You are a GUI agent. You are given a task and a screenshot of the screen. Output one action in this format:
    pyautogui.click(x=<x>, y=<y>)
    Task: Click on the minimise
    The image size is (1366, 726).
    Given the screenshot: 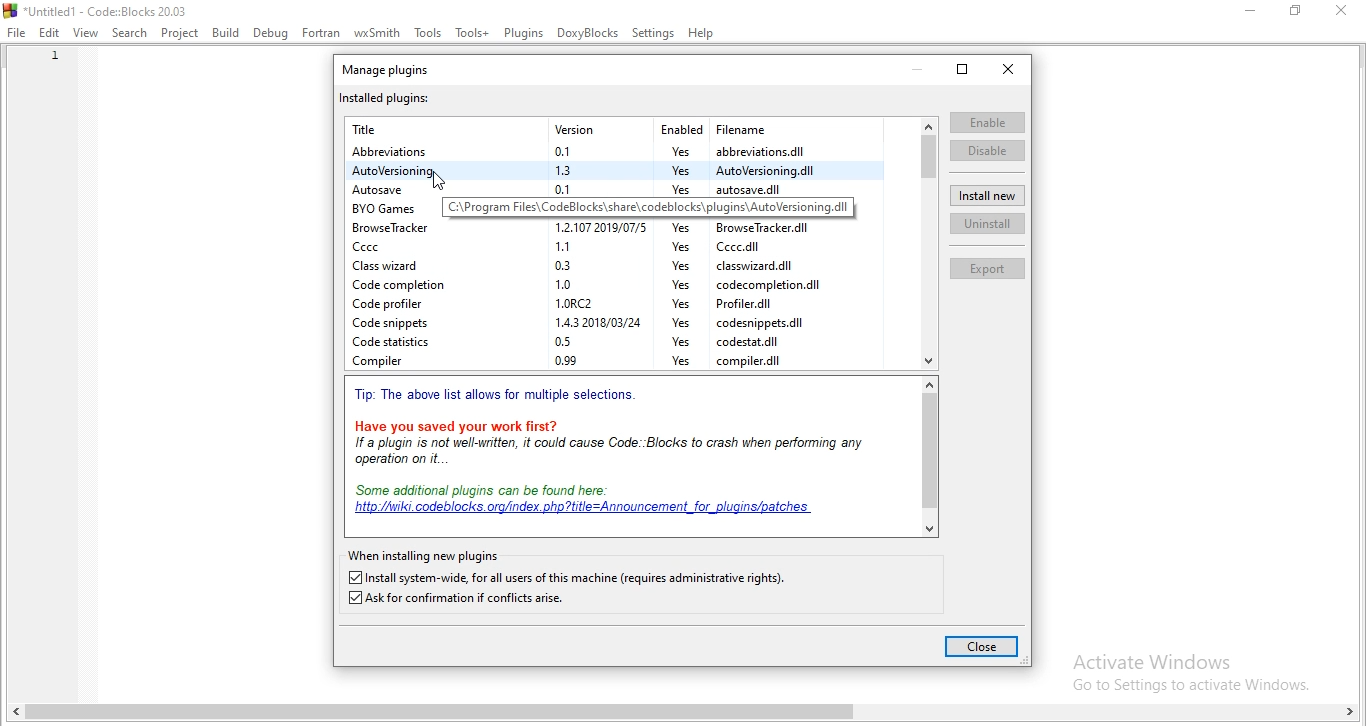 What is the action you would take?
    pyautogui.click(x=1245, y=9)
    